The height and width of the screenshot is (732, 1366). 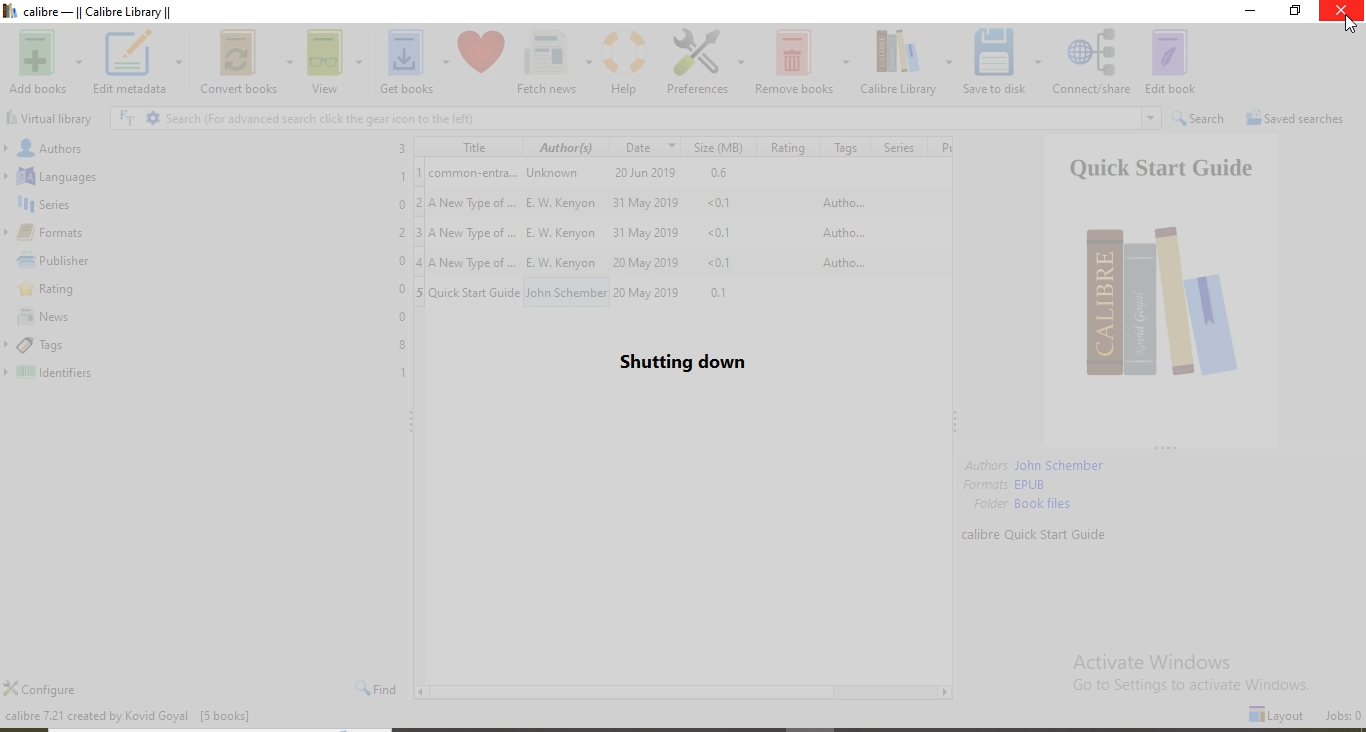 I want to click on Date, so click(x=652, y=146).